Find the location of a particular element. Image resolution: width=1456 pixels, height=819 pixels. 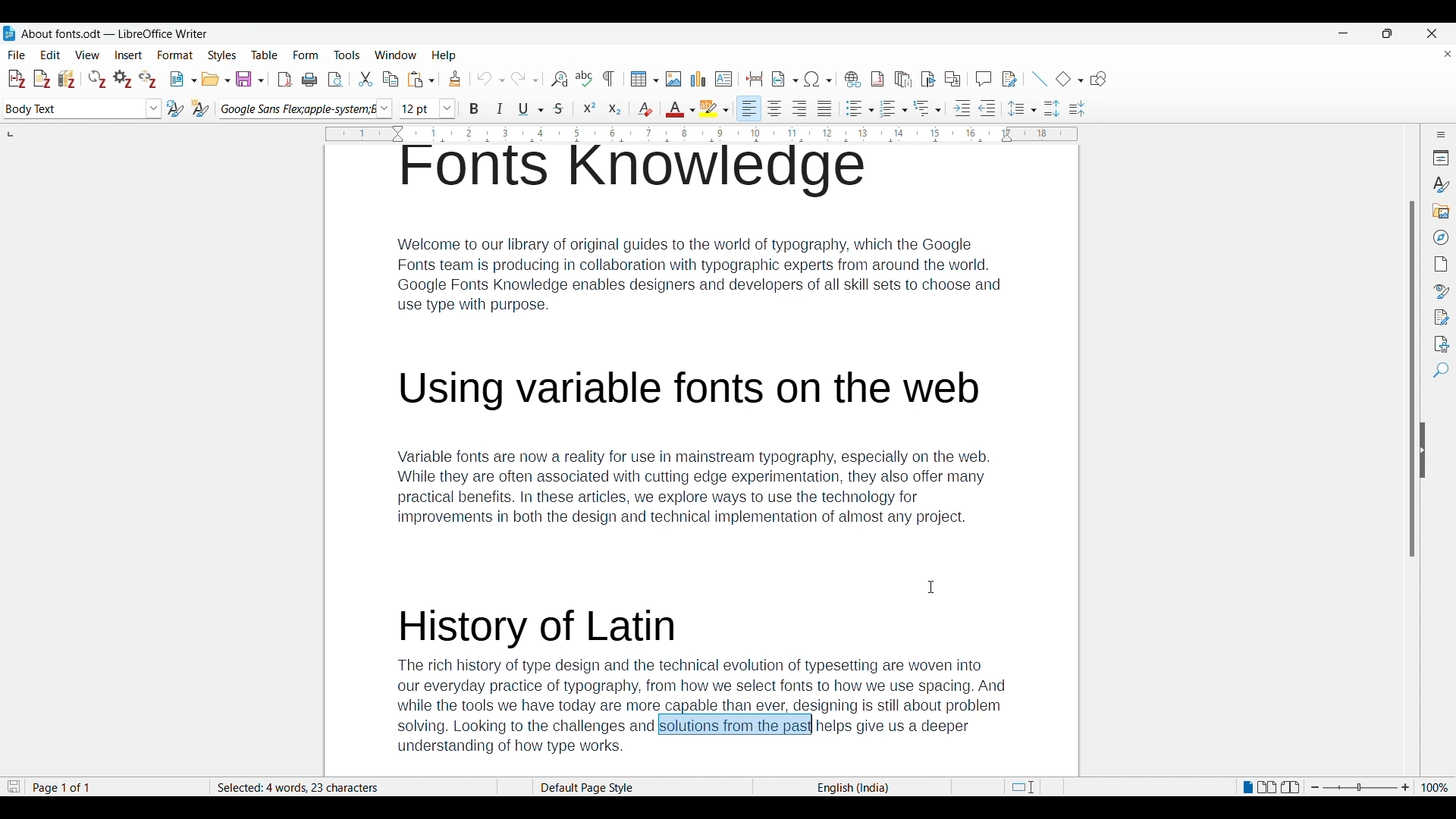

Current page w.r.t. total number of pages is located at coordinates (115, 788).